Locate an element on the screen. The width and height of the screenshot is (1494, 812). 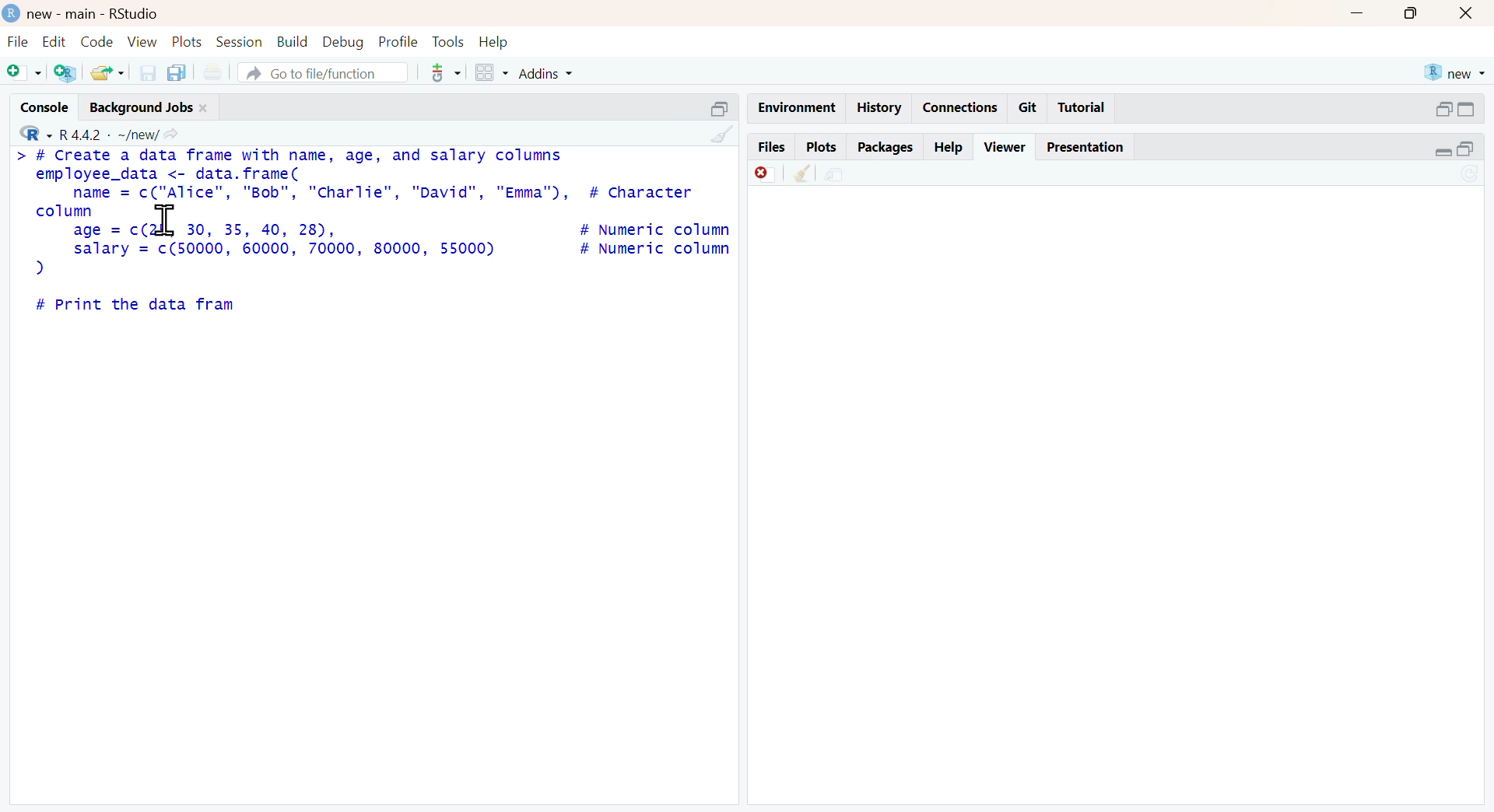
Help is located at coordinates (952, 145).